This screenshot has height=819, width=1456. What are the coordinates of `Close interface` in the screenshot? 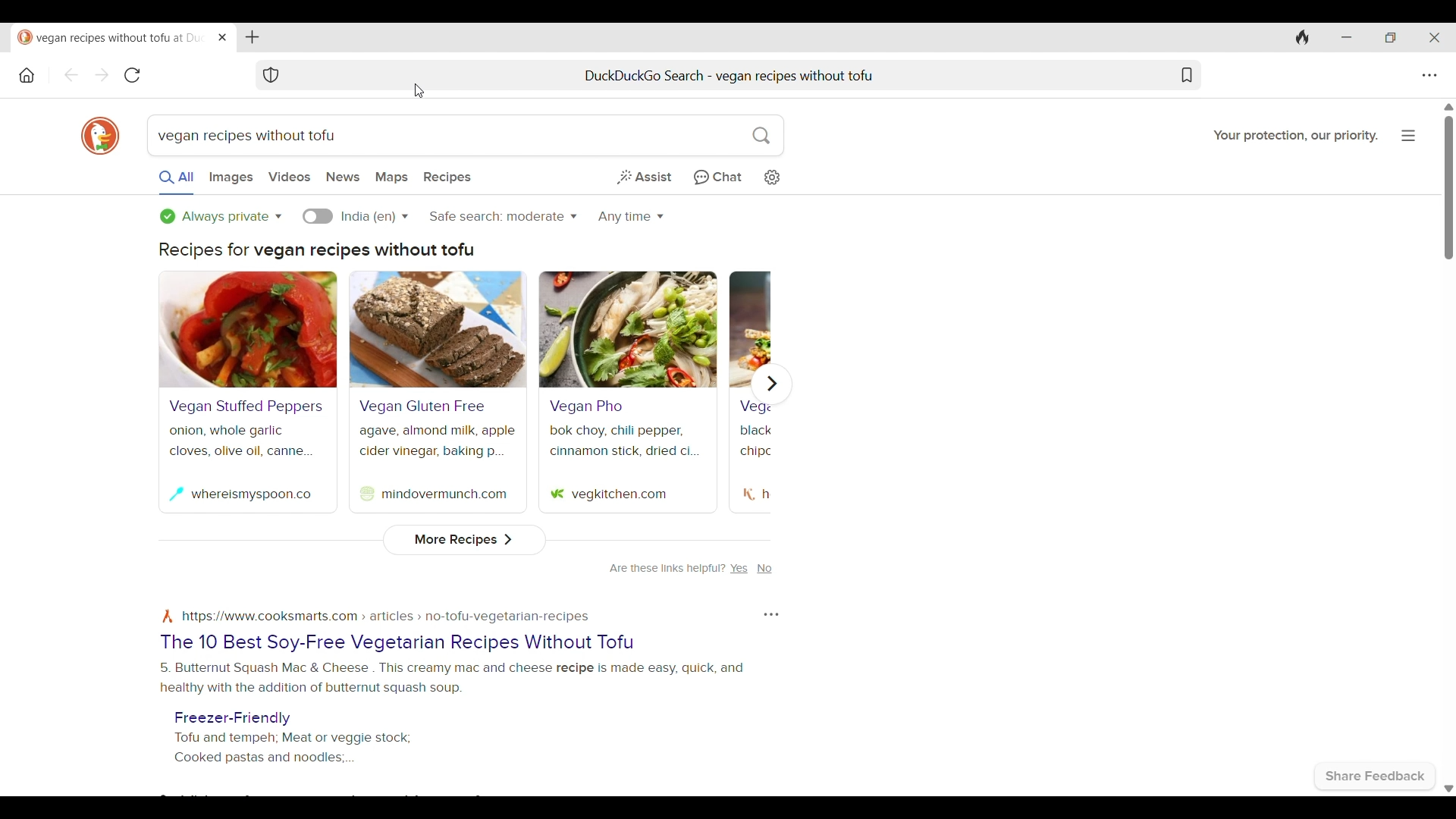 It's located at (1434, 37).